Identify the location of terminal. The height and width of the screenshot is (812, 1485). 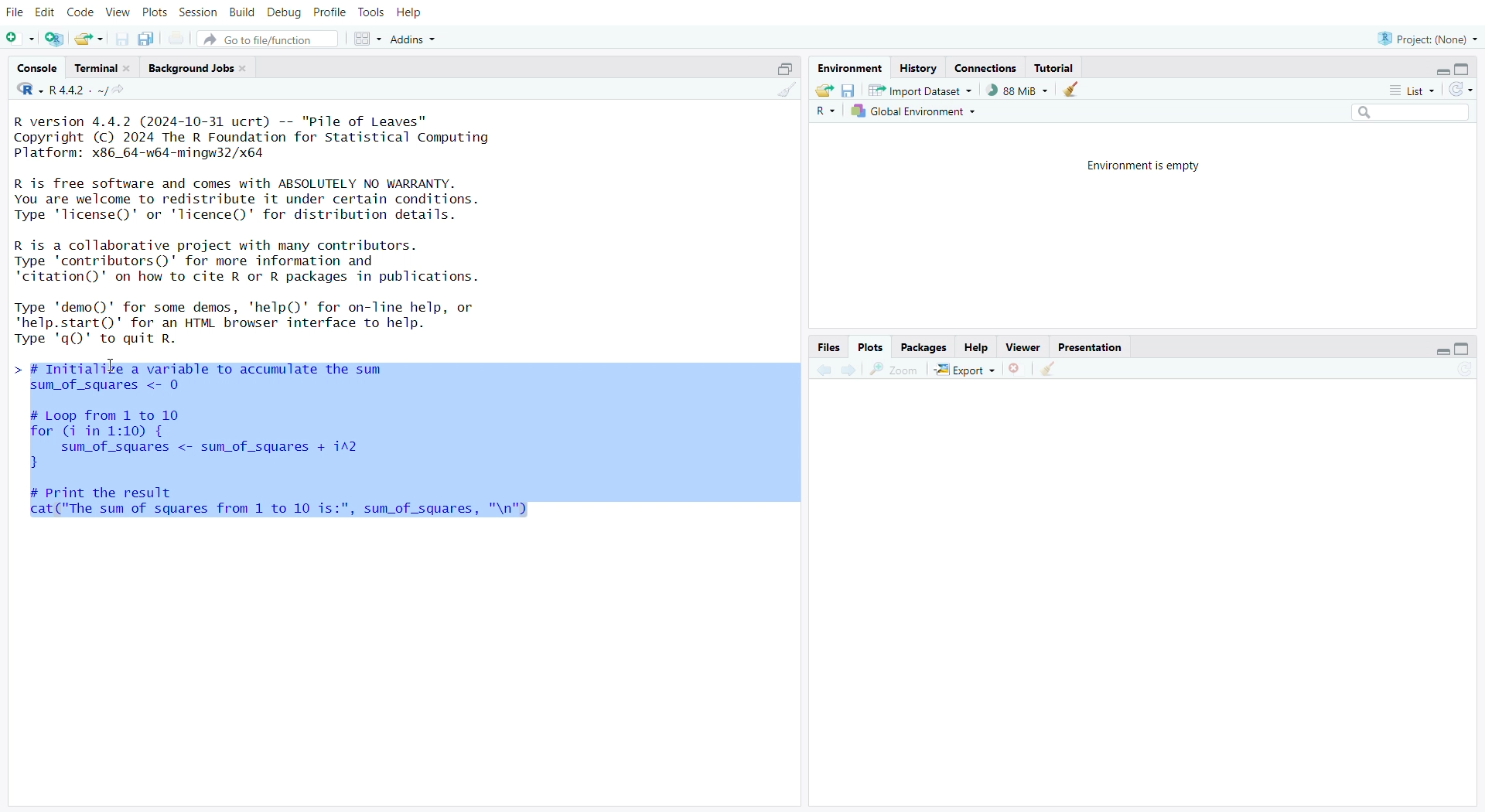
(103, 67).